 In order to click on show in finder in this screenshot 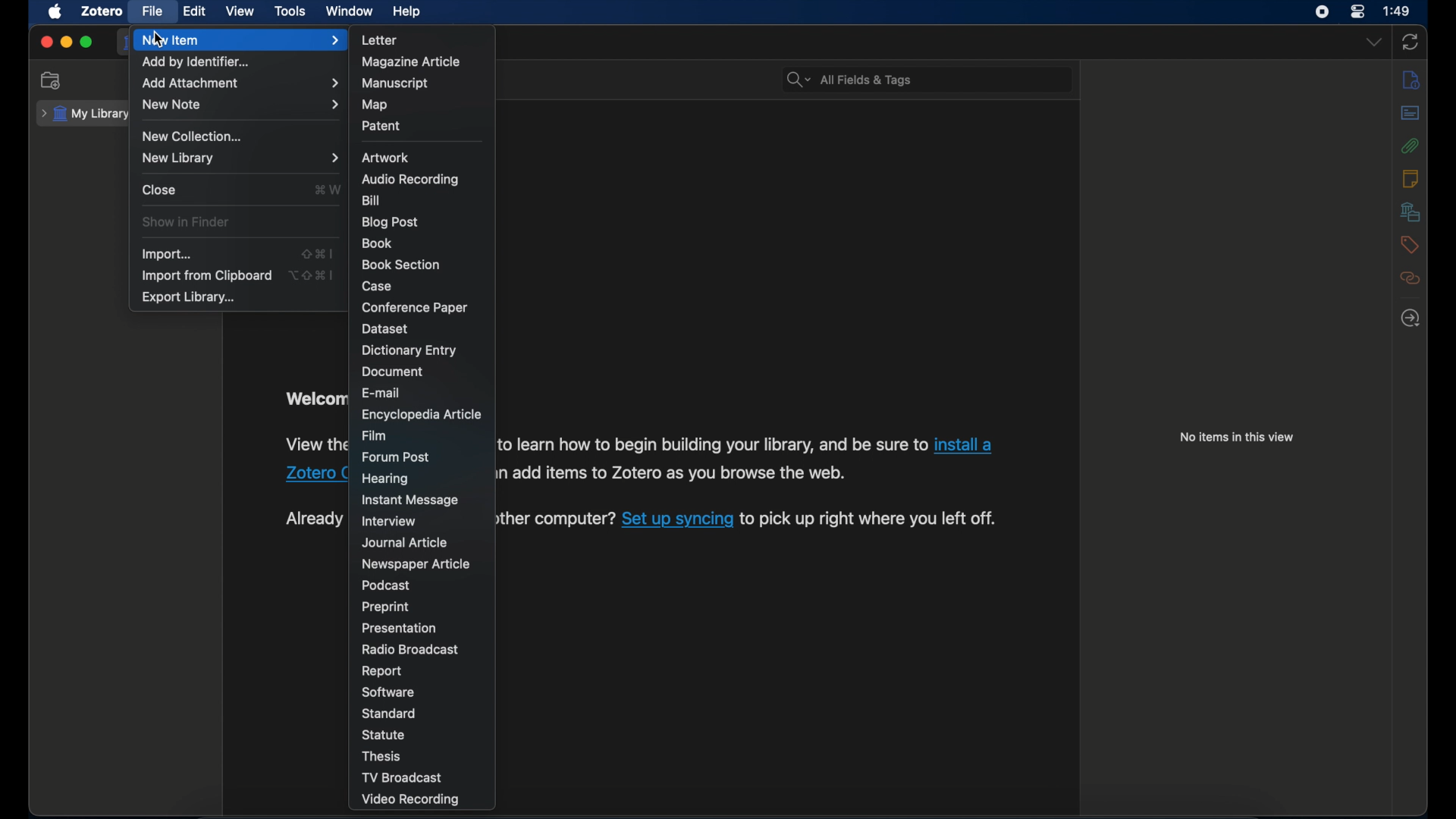, I will do `click(188, 222)`.